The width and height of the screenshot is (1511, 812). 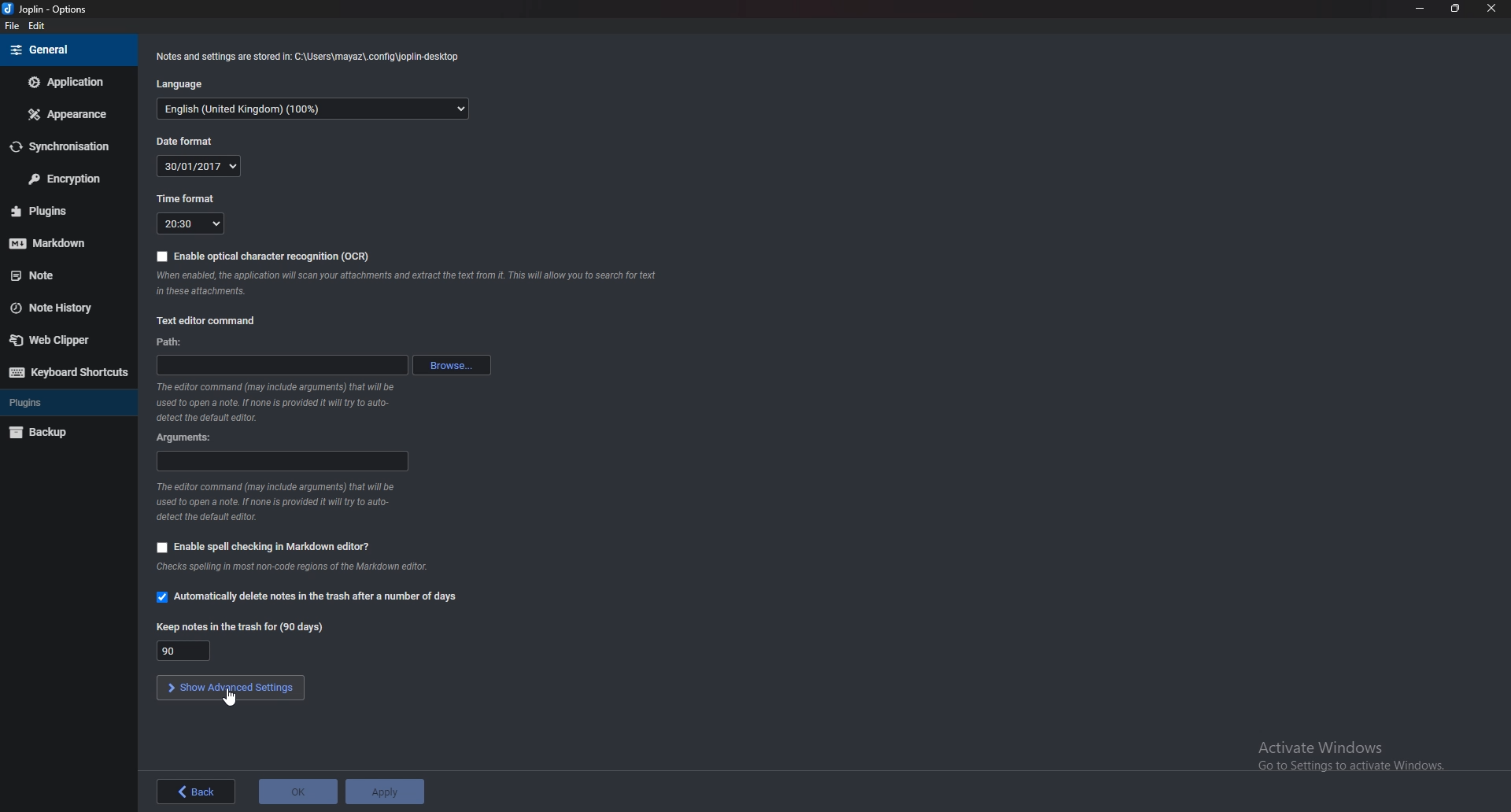 What do you see at coordinates (53, 244) in the screenshot?
I see `mark down` at bounding box center [53, 244].